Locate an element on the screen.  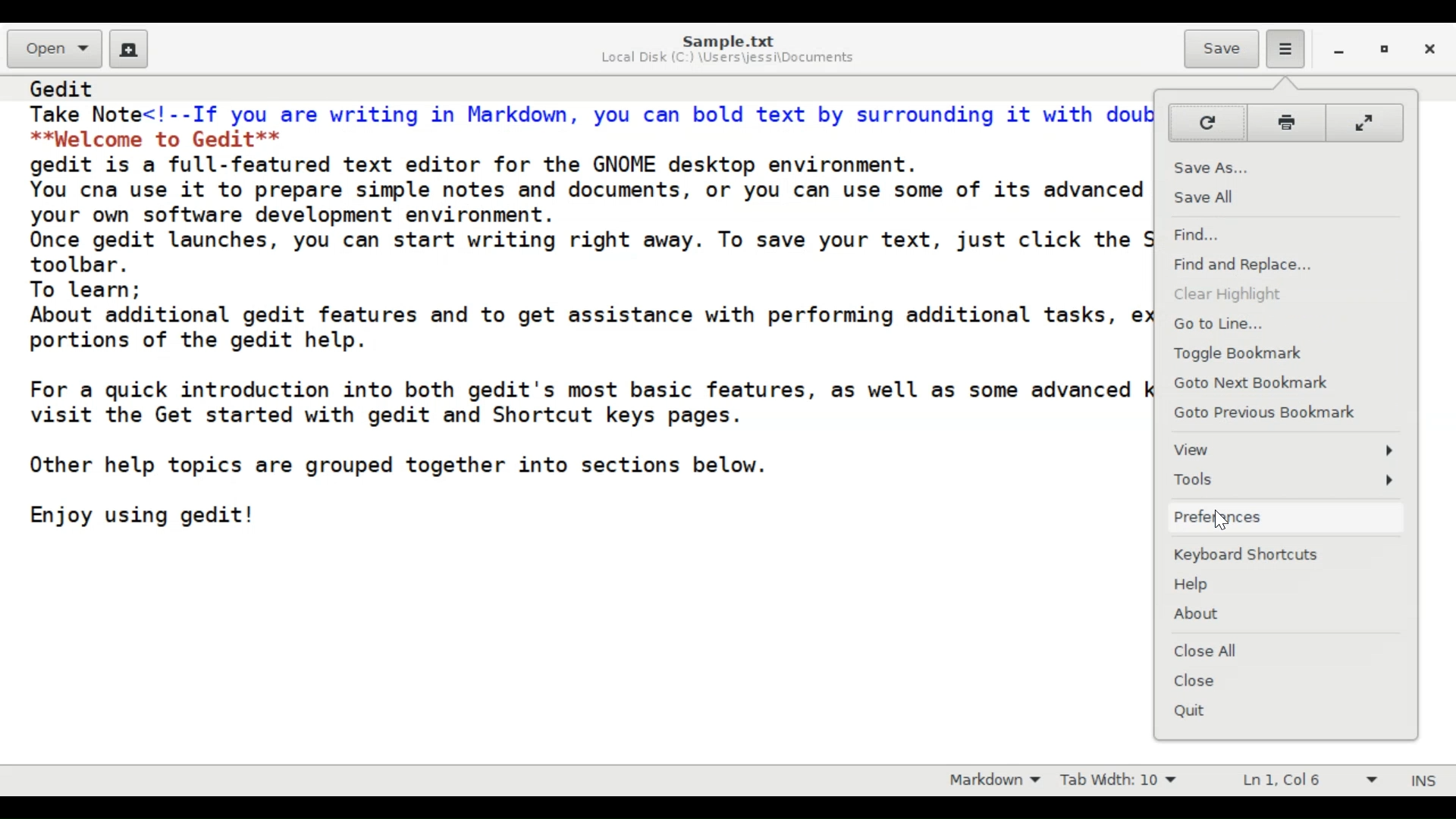
Reload is located at coordinates (1210, 121).